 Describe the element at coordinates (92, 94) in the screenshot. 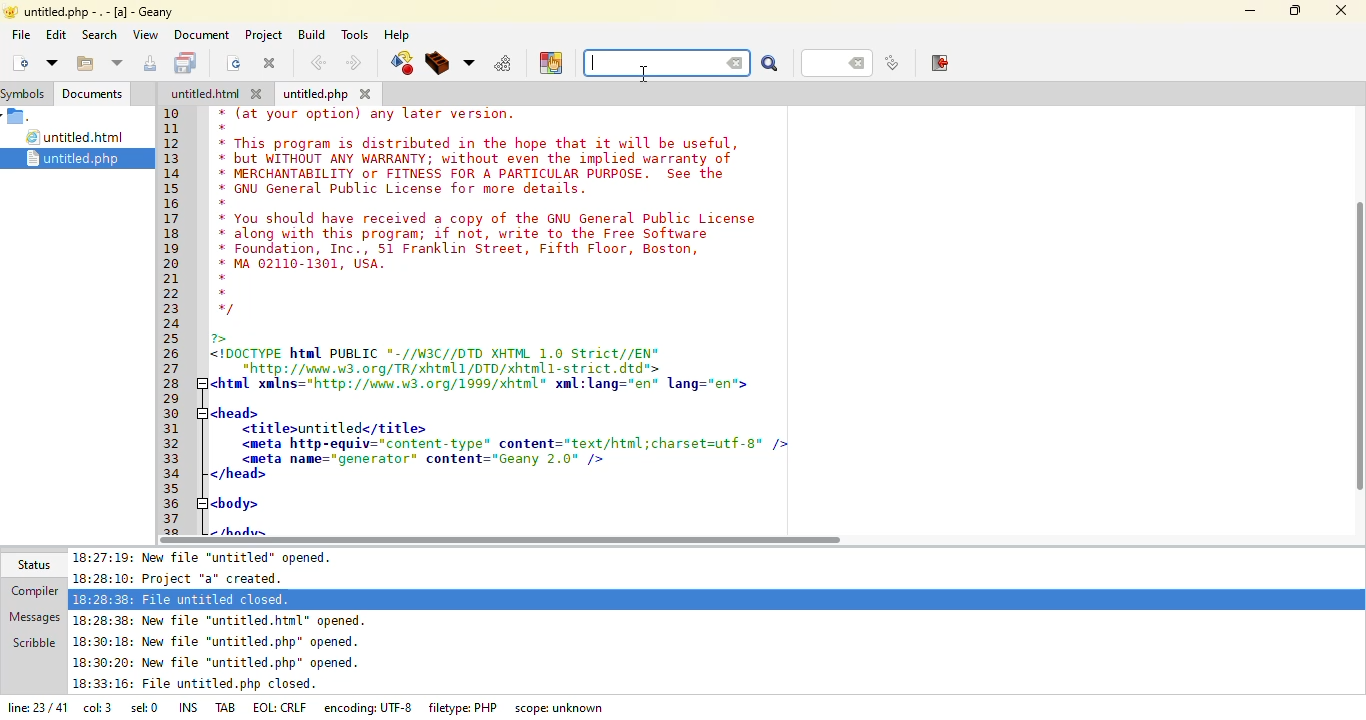

I see `documents` at that location.